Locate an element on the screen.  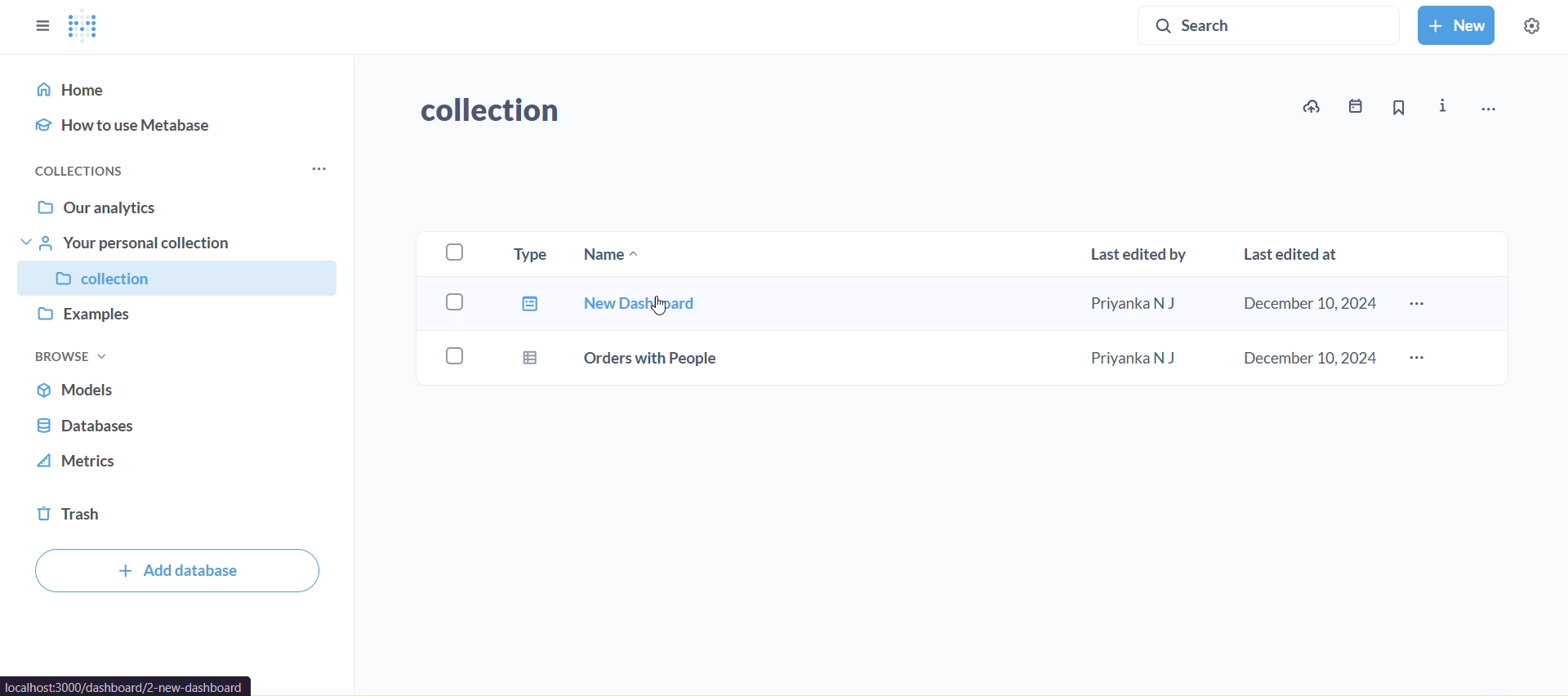
last edited by is located at coordinates (1143, 252).